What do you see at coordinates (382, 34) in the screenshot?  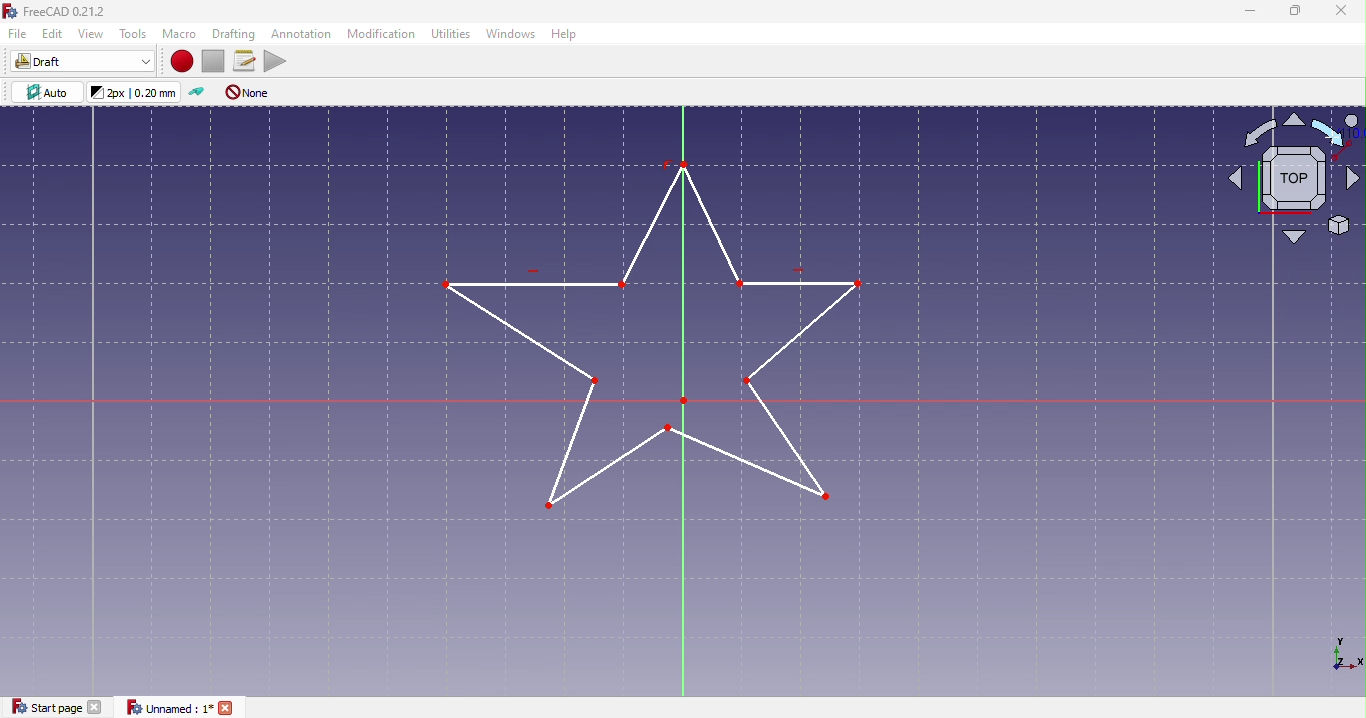 I see `Modification` at bounding box center [382, 34].